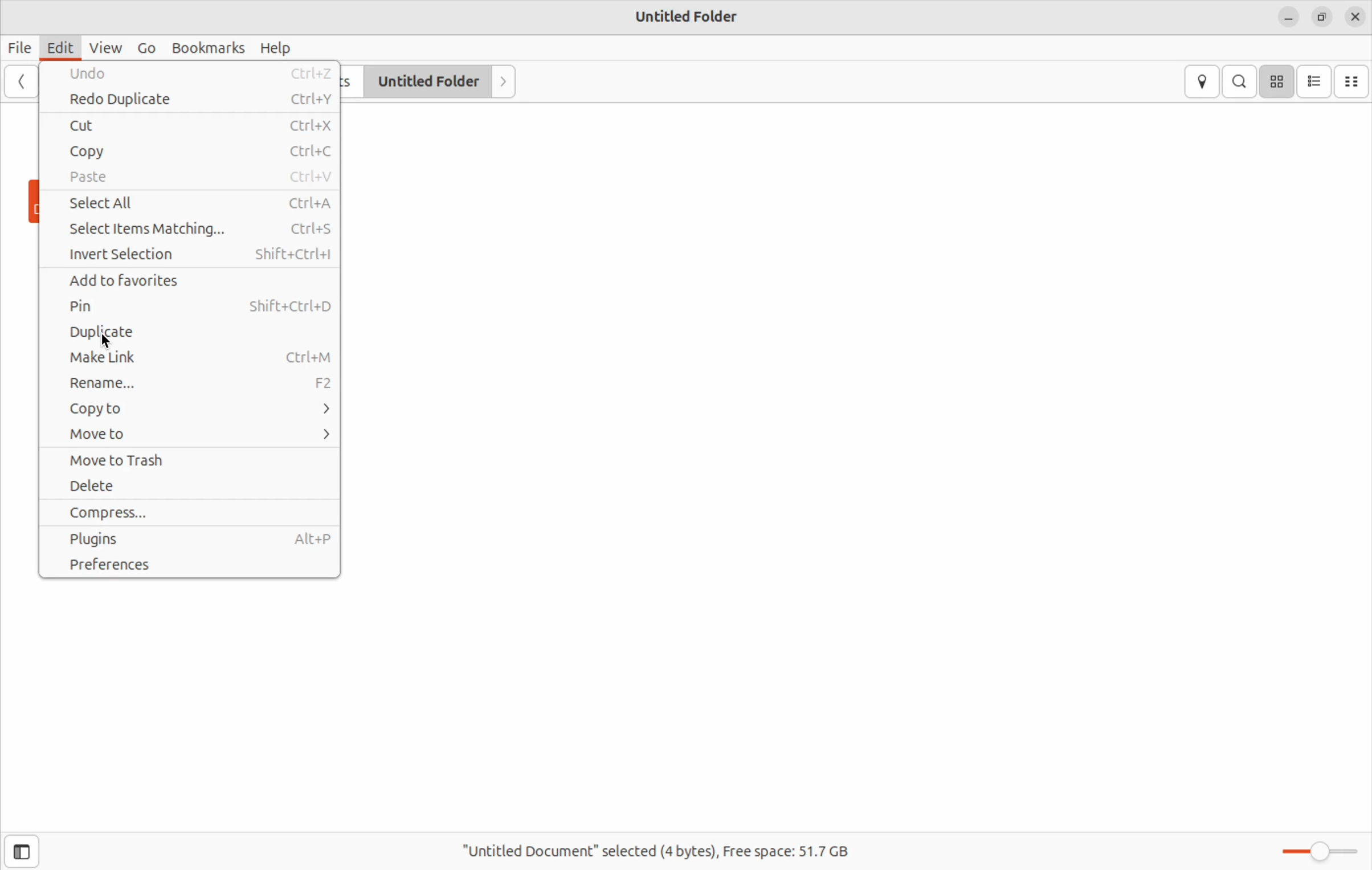  I want to click on Delete, so click(191, 486).